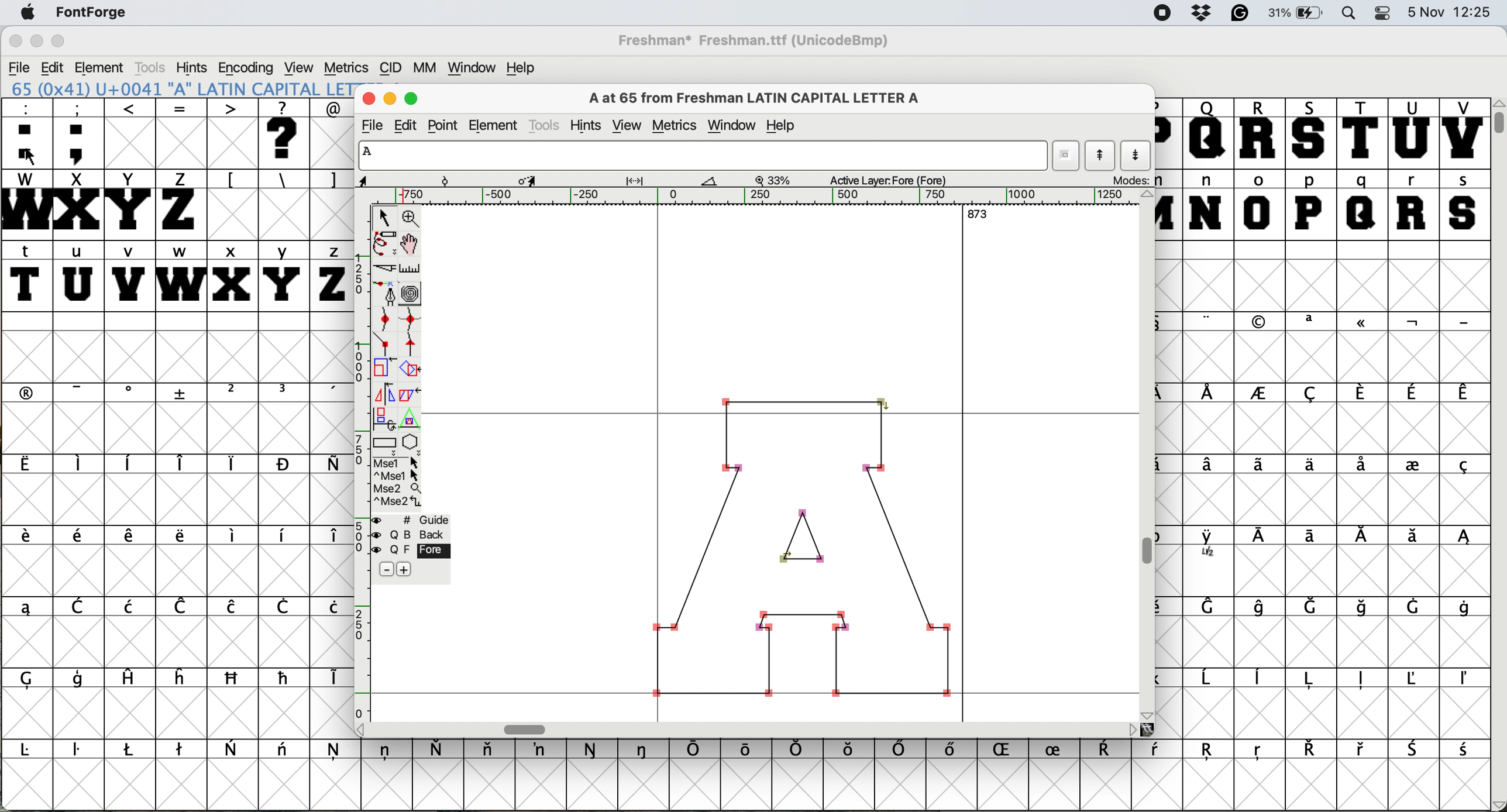 The image size is (1507, 812). I want to click on symbol, so click(1462, 322).